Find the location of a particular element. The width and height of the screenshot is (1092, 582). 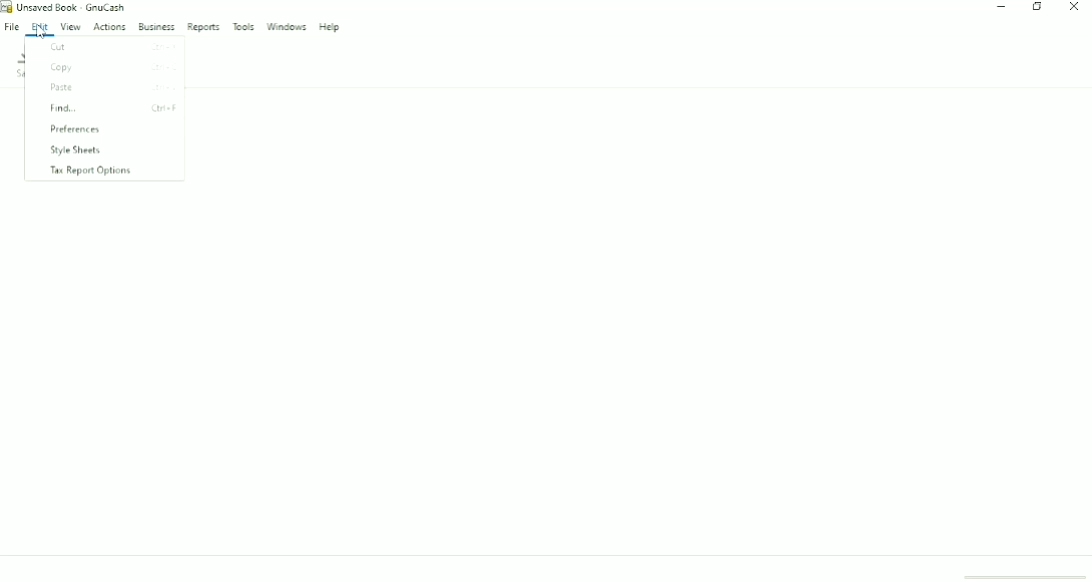

Actions is located at coordinates (110, 27).